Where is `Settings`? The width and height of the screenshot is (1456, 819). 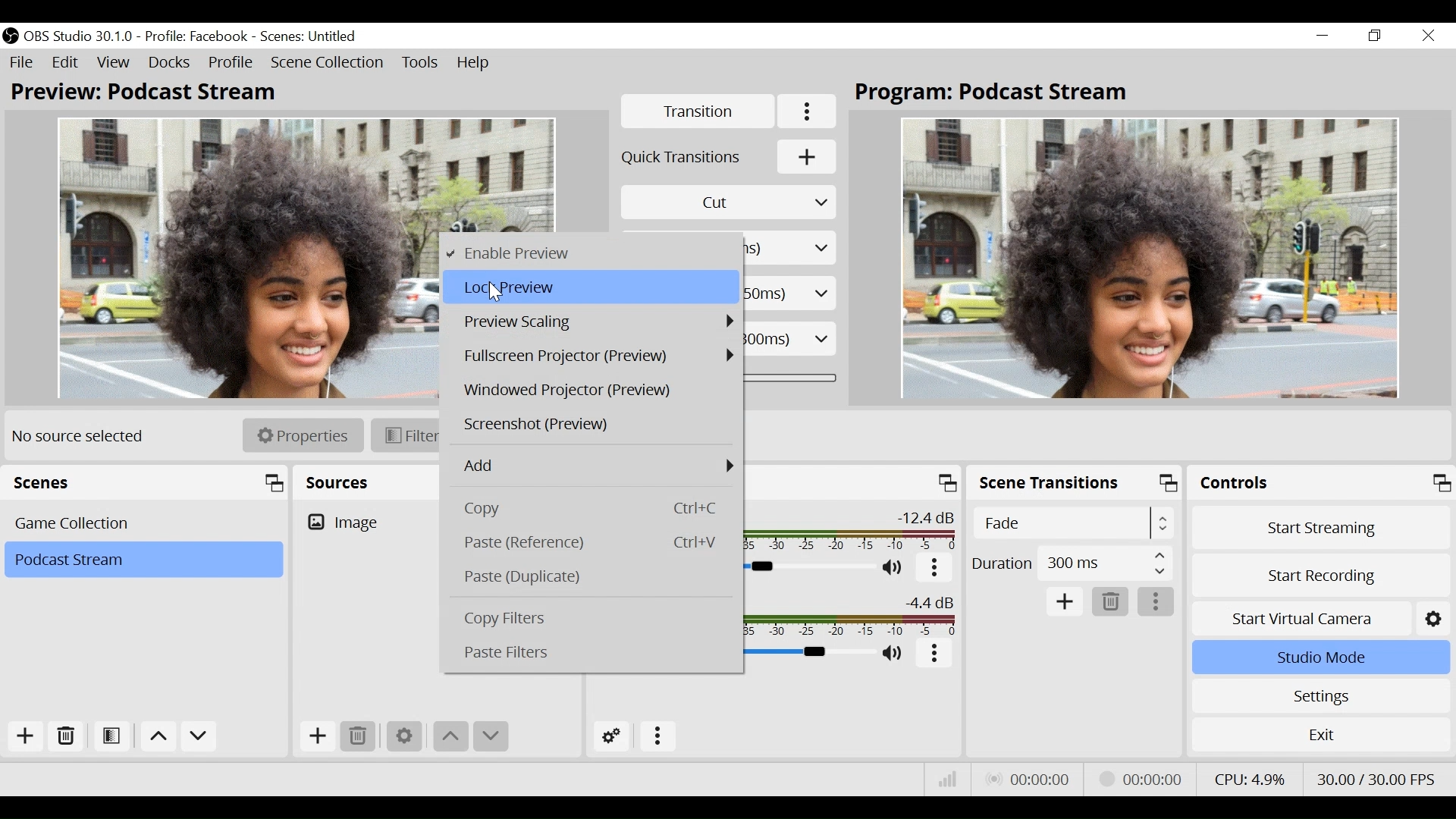 Settings is located at coordinates (1319, 696).